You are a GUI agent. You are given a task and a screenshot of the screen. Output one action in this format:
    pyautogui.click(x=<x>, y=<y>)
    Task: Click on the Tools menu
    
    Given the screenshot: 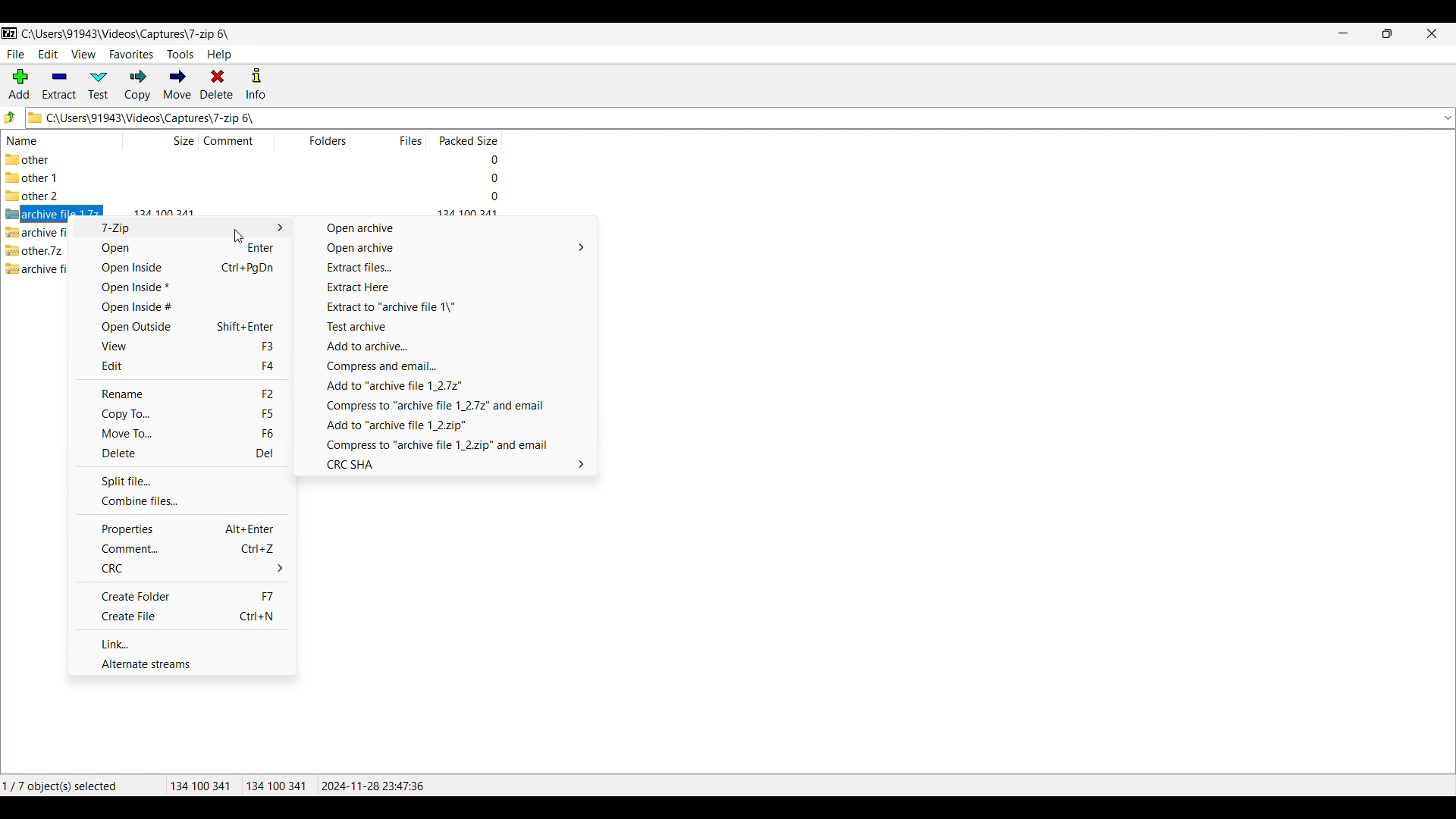 What is the action you would take?
    pyautogui.click(x=180, y=55)
    